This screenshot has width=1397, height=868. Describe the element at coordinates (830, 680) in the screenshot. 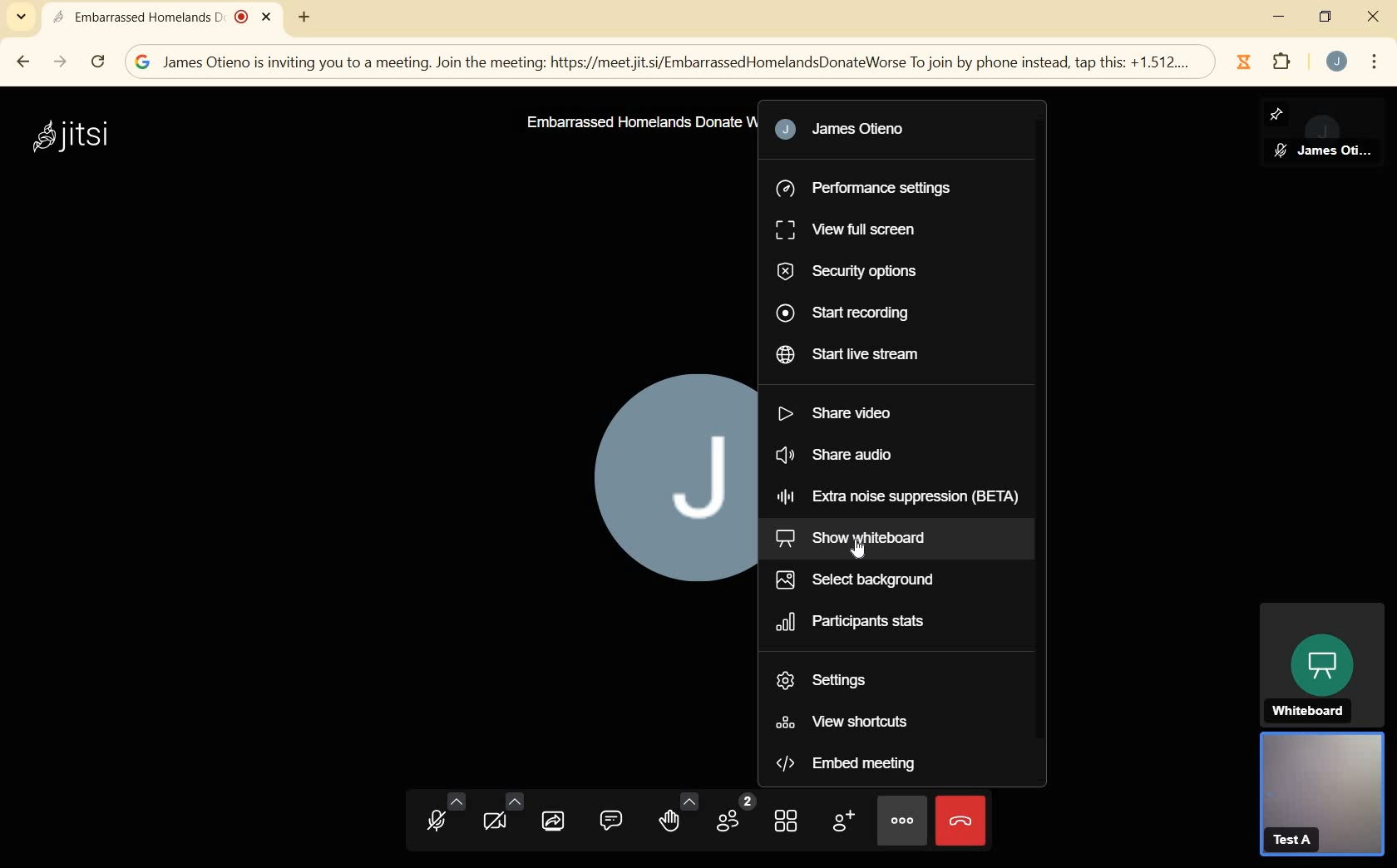

I see `SETTINGS` at that location.